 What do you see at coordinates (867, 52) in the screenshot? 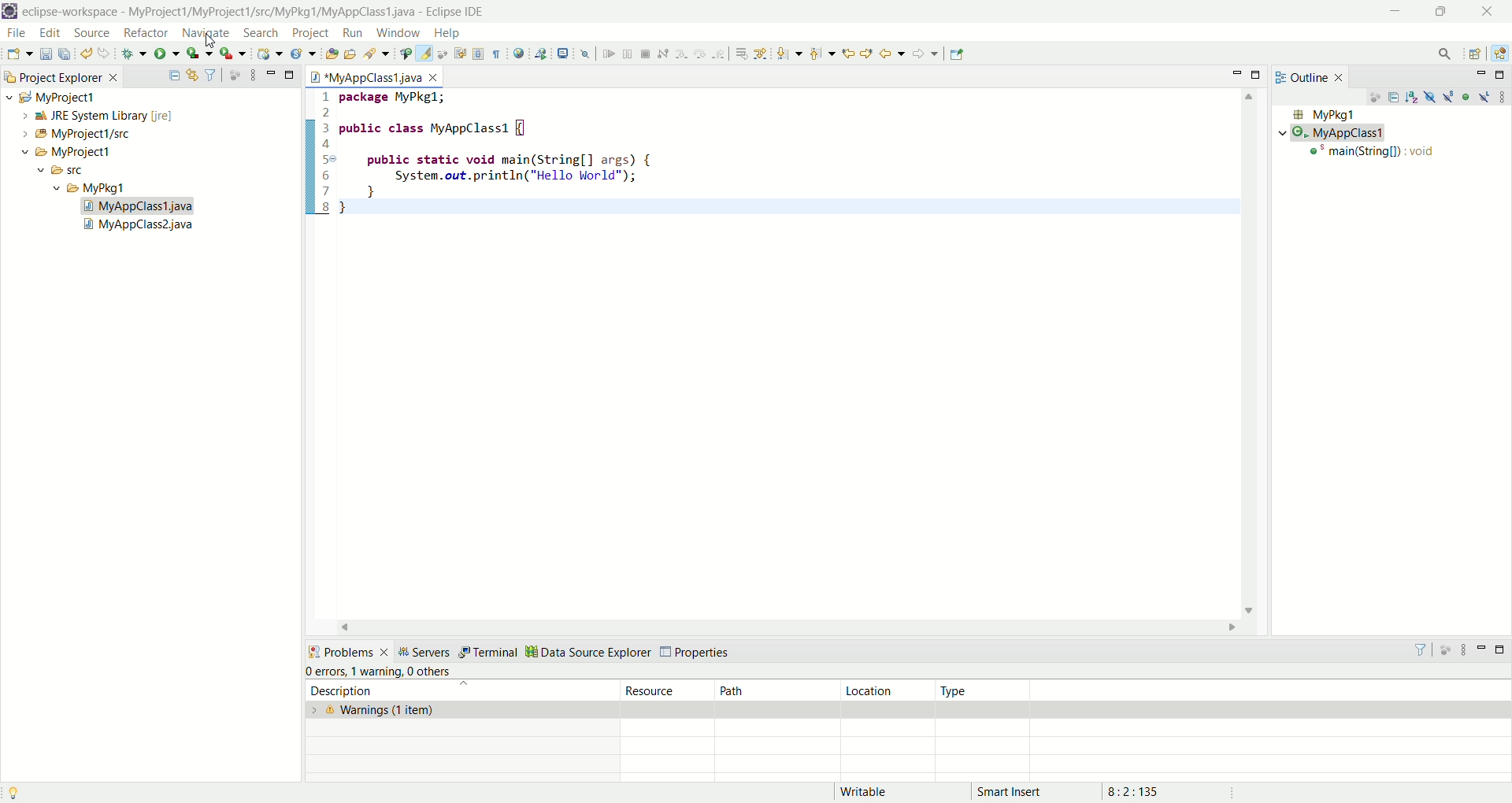
I see `next edit location` at bounding box center [867, 52].